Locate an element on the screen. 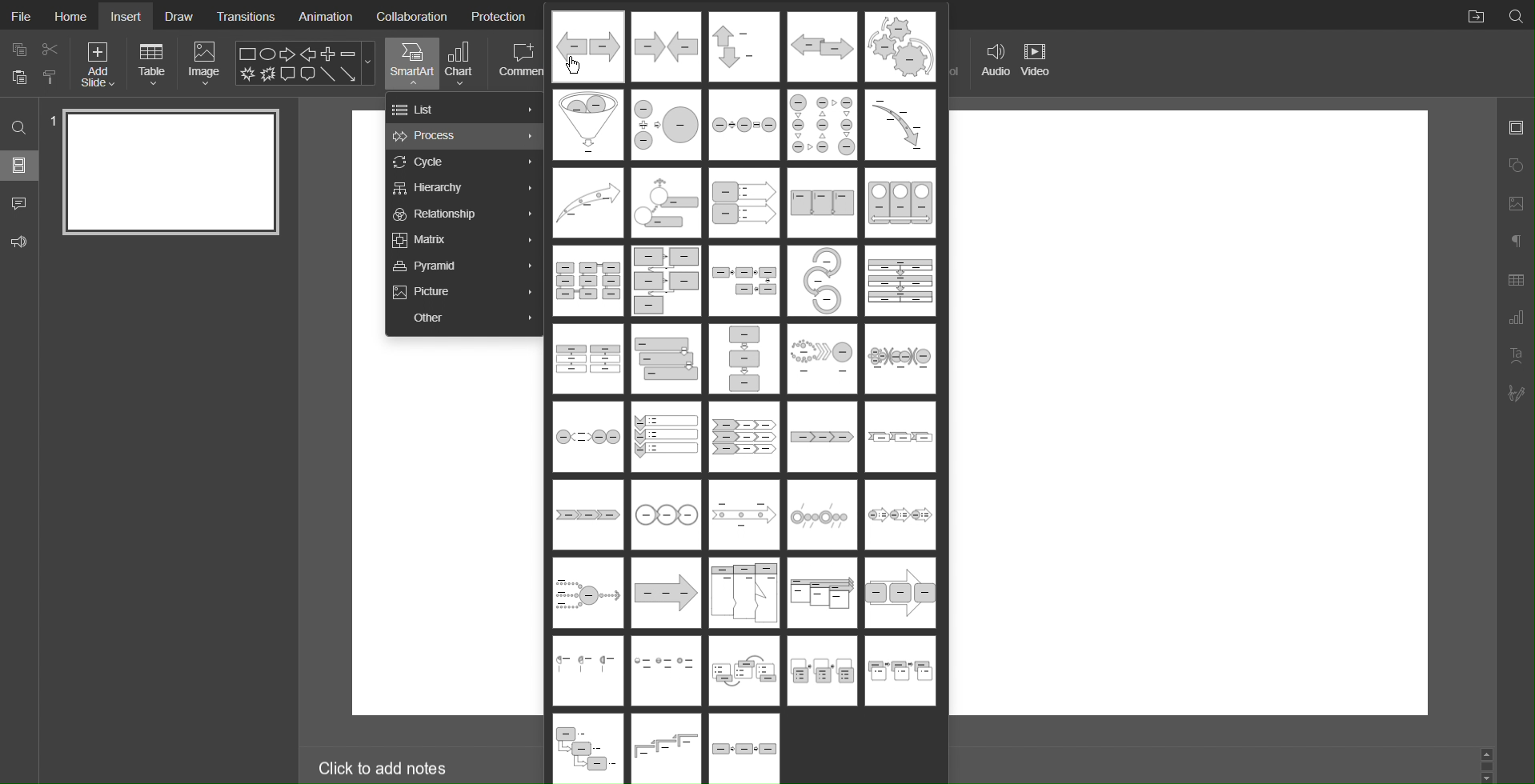 The height and width of the screenshot is (784, 1535). List is located at coordinates (465, 109).